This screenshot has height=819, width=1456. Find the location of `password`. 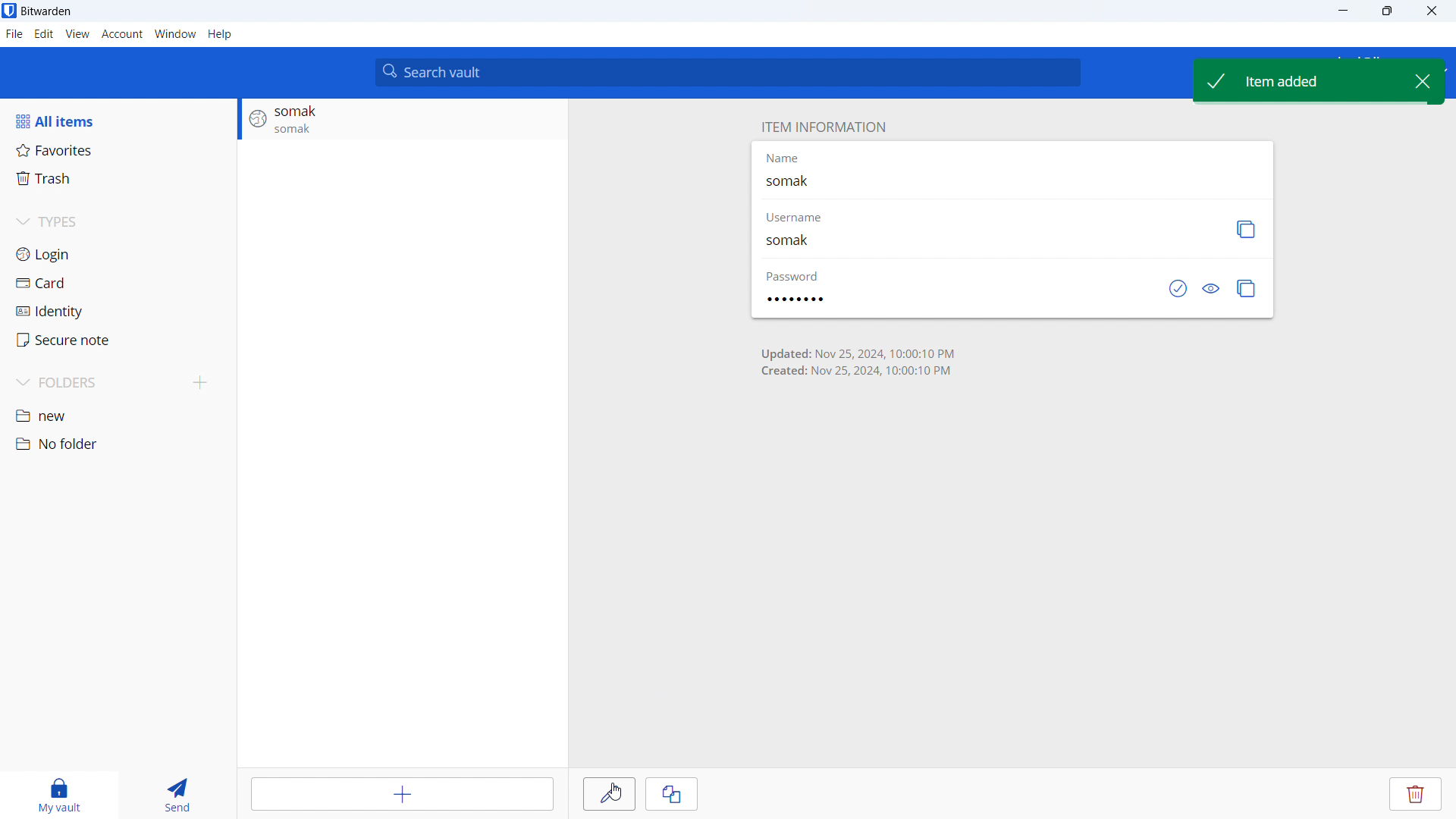

password is located at coordinates (954, 306).